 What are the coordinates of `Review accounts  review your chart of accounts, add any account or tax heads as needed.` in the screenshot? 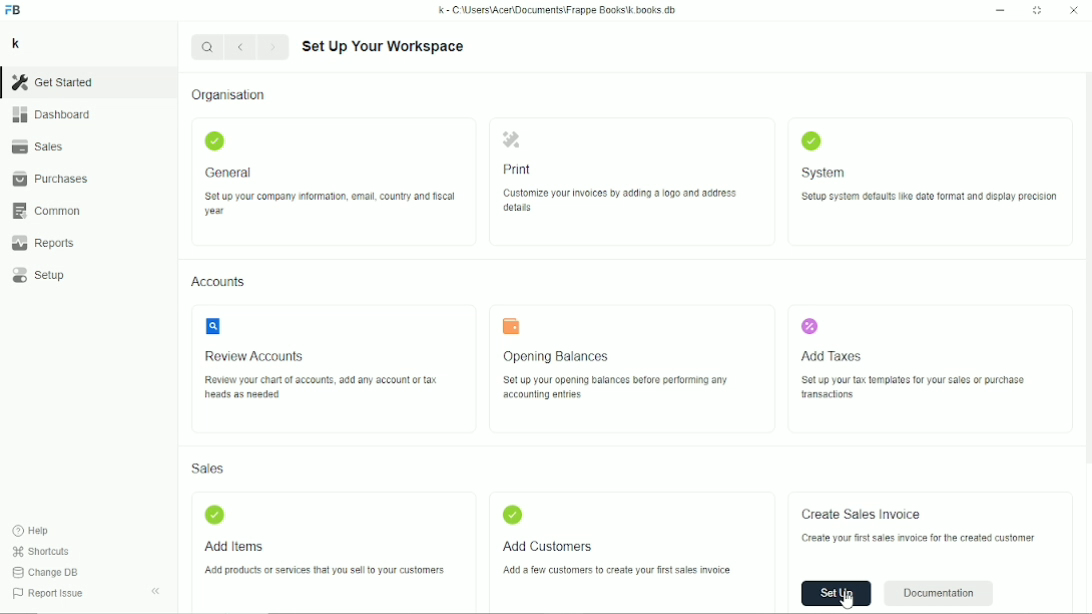 It's located at (318, 361).